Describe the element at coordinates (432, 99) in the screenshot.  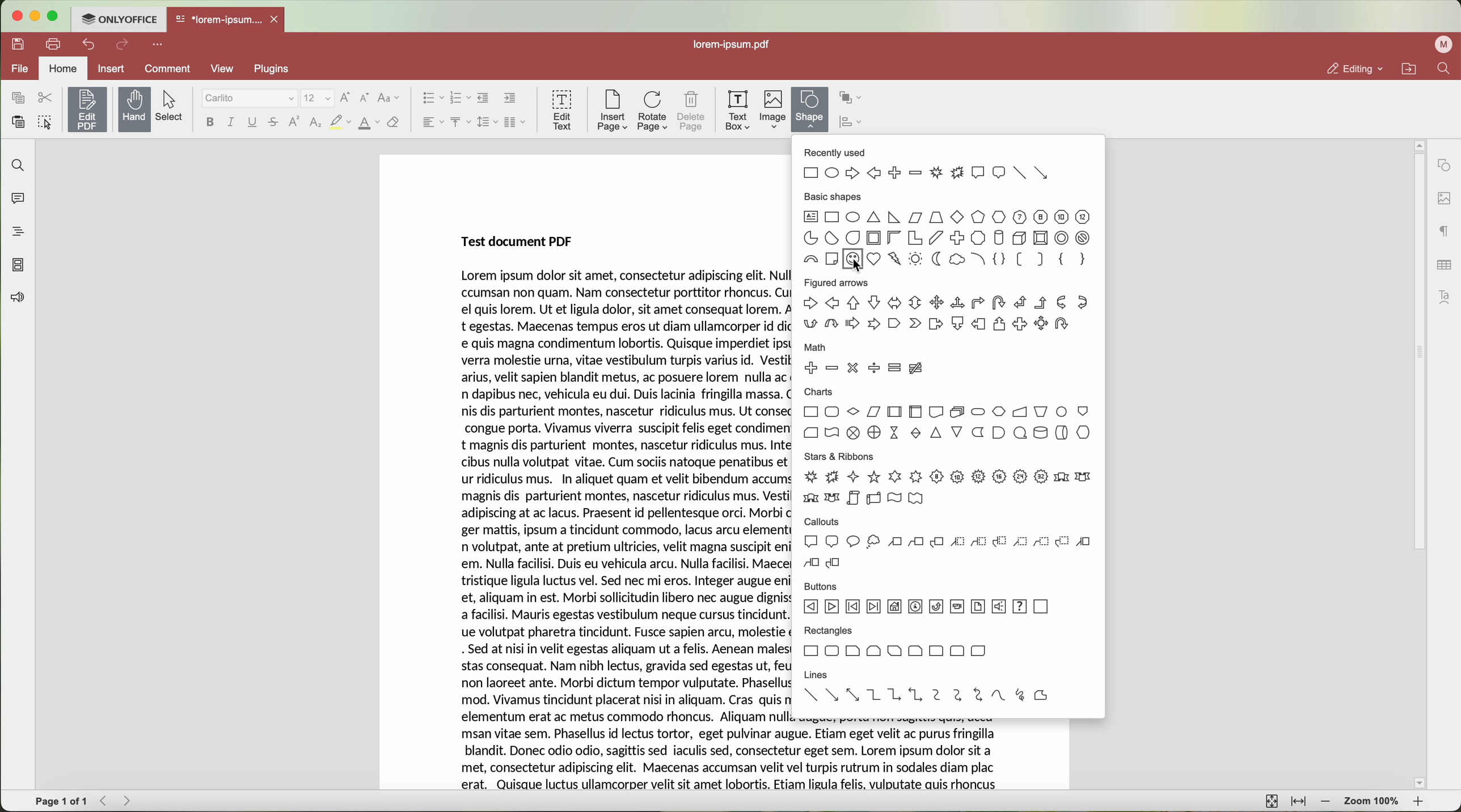
I see `bullets` at that location.